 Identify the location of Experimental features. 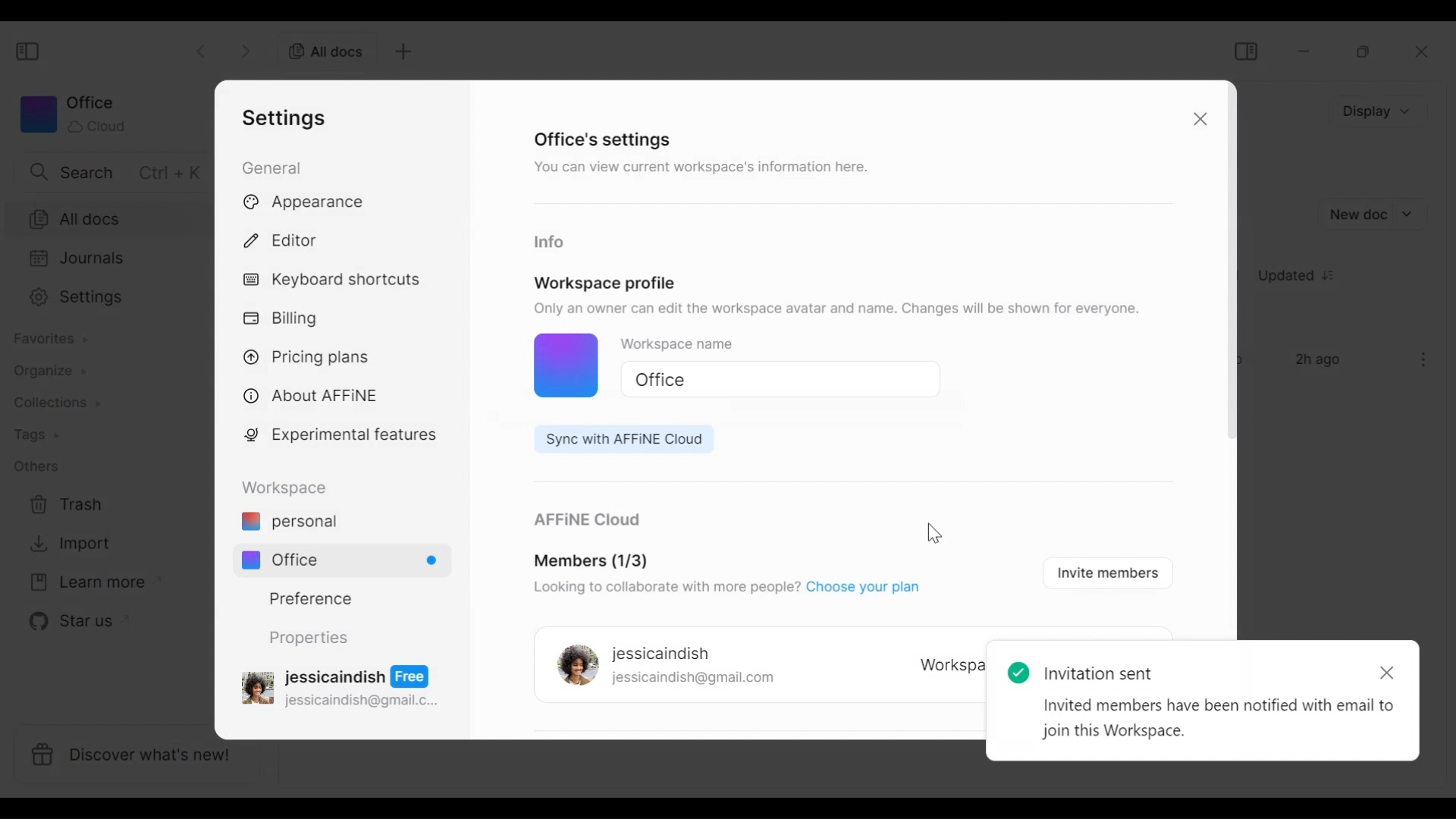
(344, 438).